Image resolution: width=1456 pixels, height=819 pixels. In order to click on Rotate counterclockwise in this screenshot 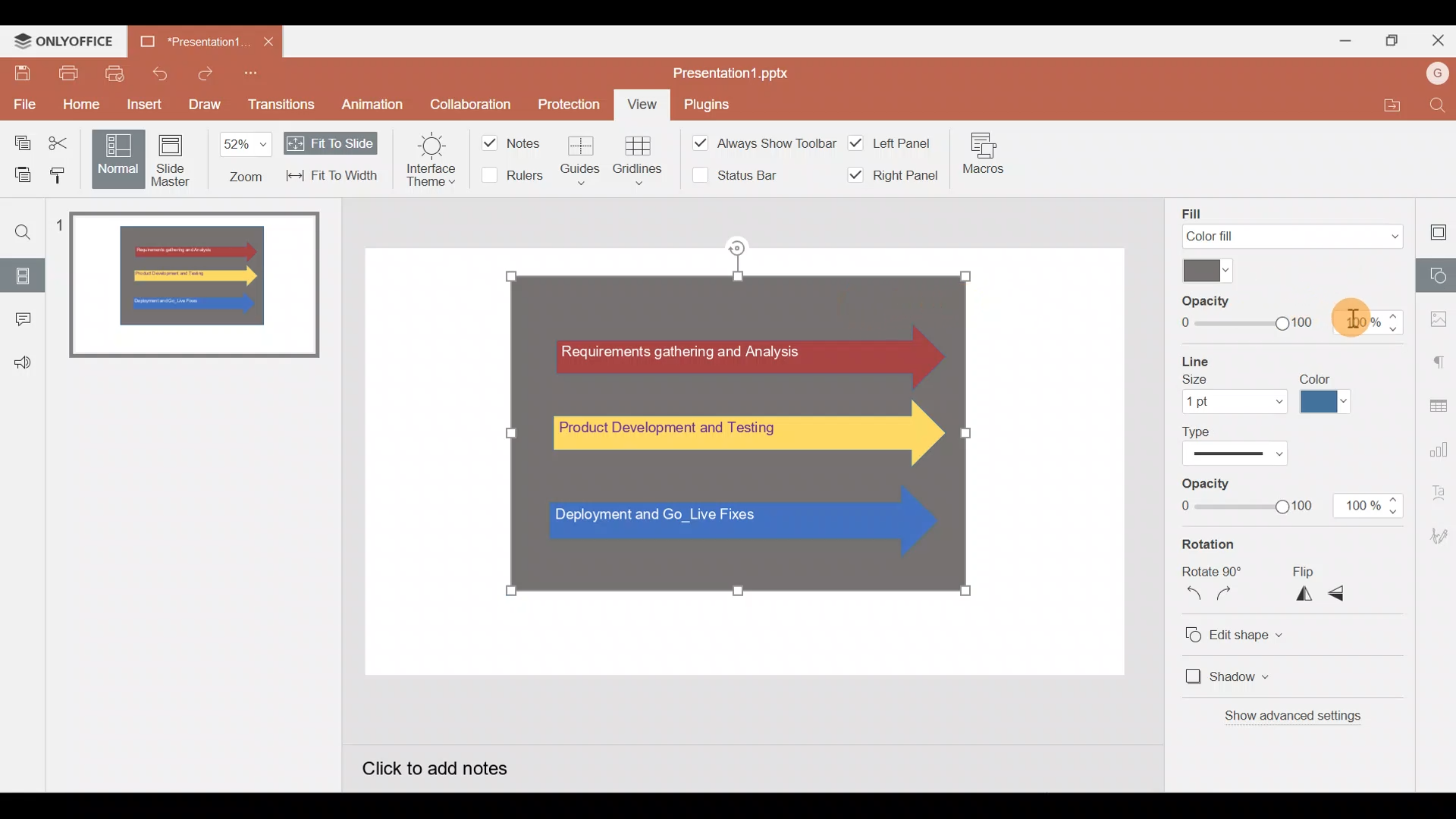, I will do `click(1188, 595)`.